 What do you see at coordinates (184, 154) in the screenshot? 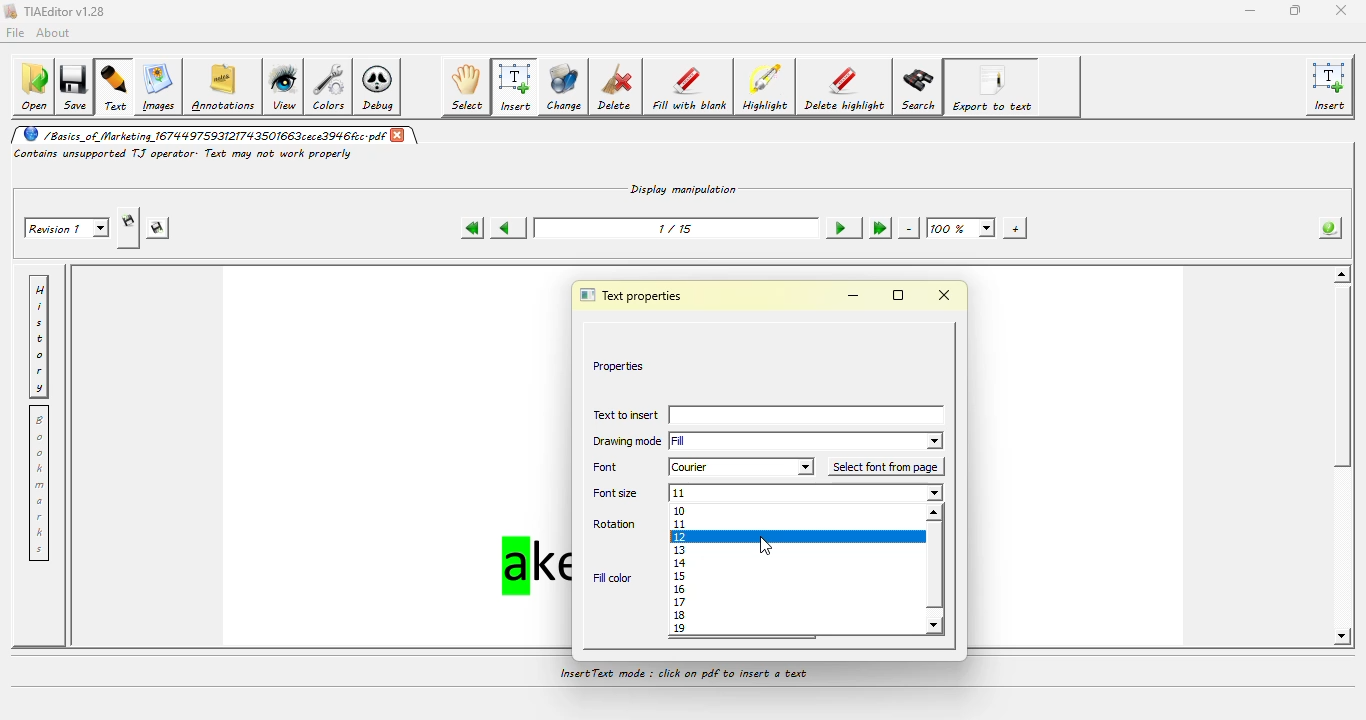
I see `Contains unsupported TJ operator: Text may not work properly` at bounding box center [184, 154].